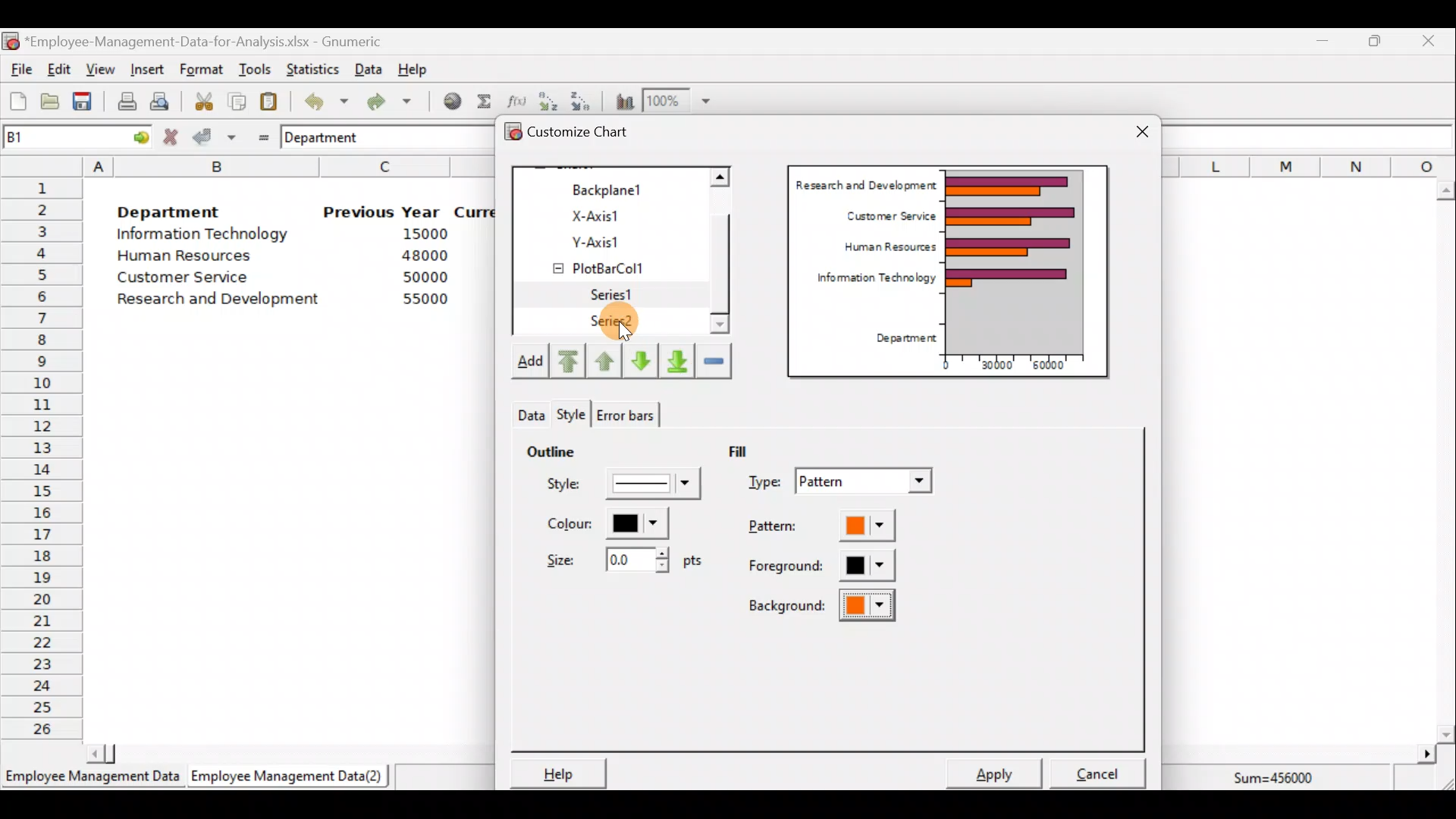 The image size is (1456, 819). Describe the element at coordinates (429, 277) in the screenshot. I see `50000` at that location.